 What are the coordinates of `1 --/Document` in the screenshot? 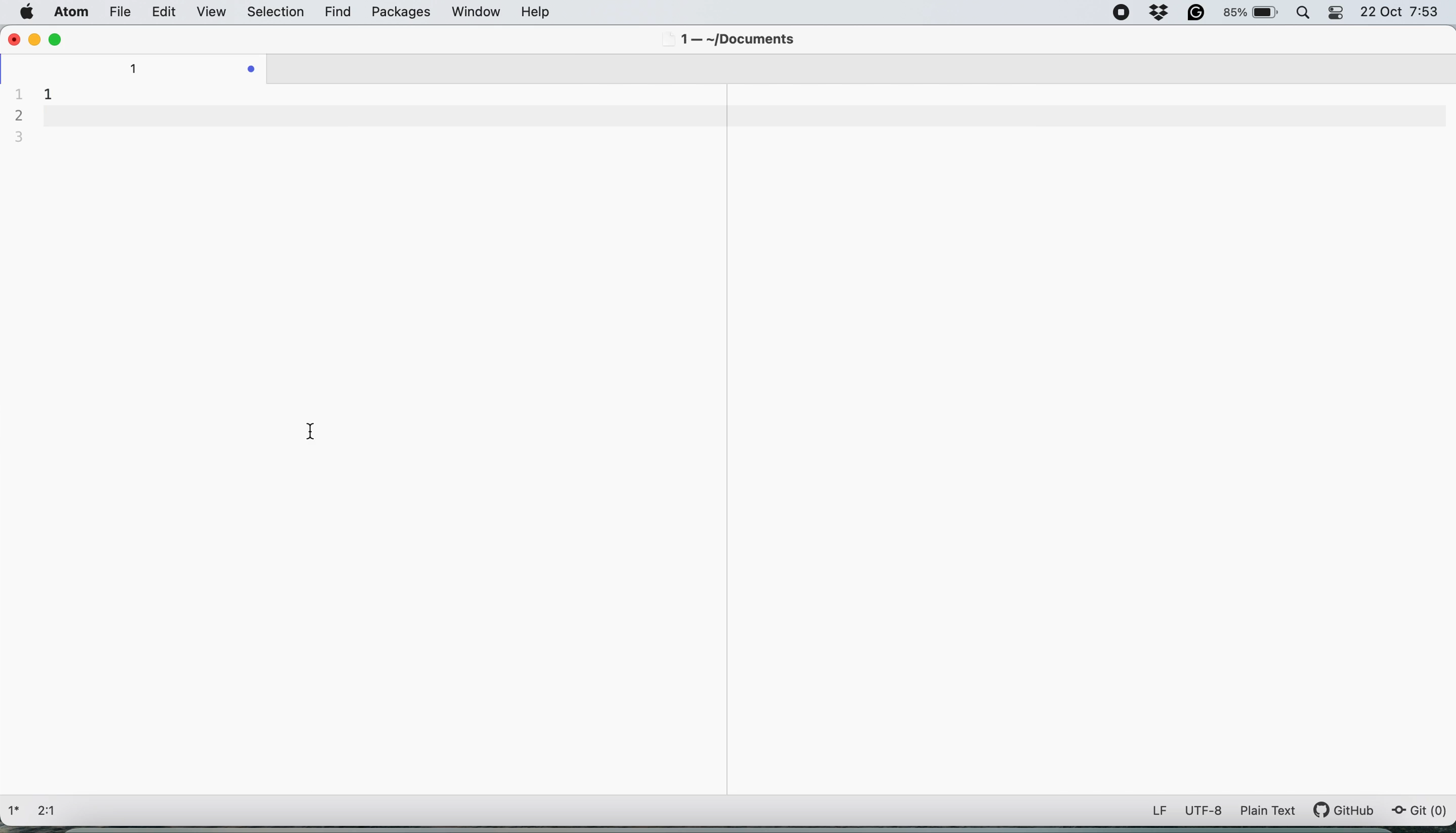 It's located at (730, 41).